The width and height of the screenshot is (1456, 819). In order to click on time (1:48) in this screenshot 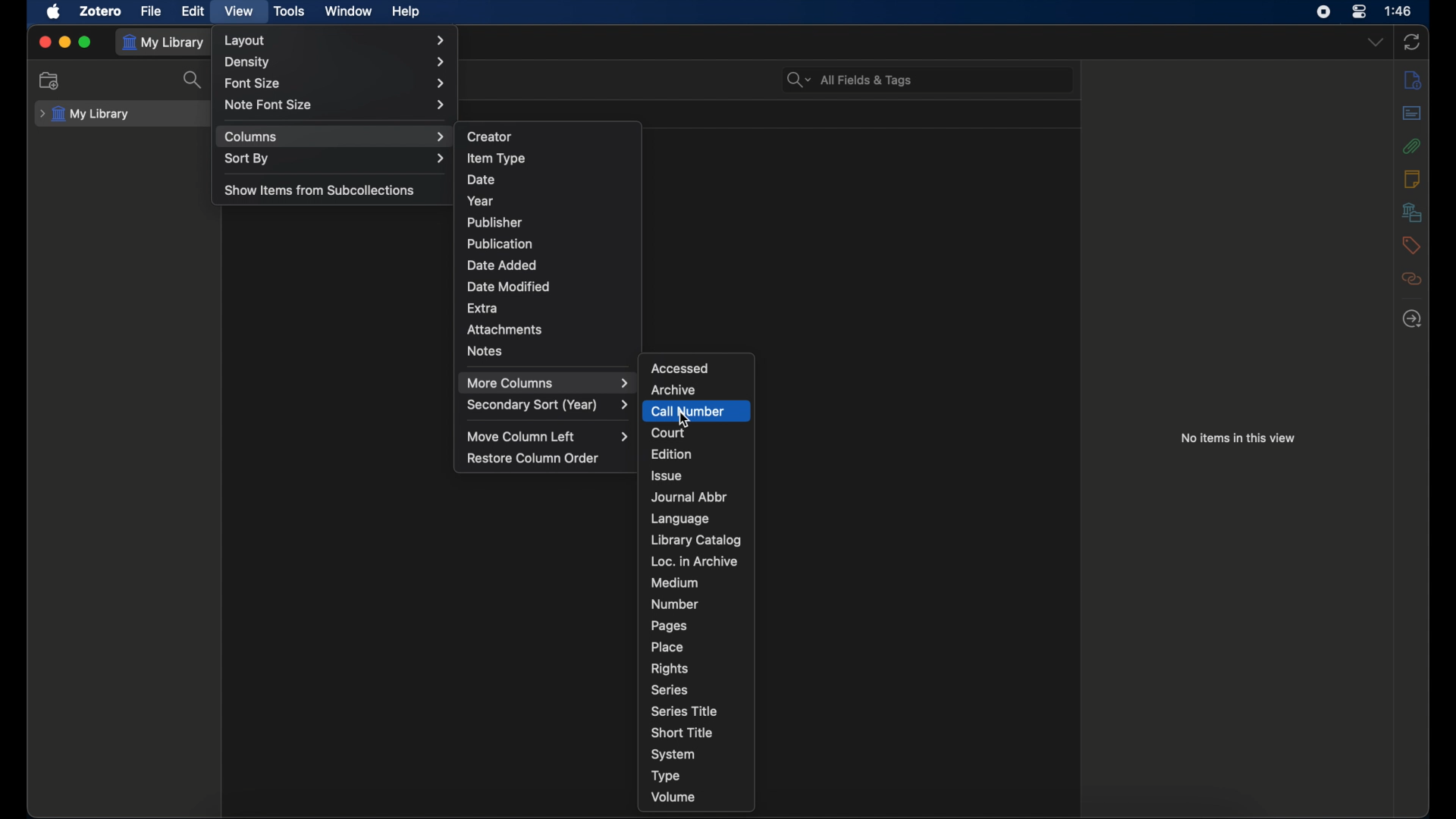, I will do `click(1398, 10)`.